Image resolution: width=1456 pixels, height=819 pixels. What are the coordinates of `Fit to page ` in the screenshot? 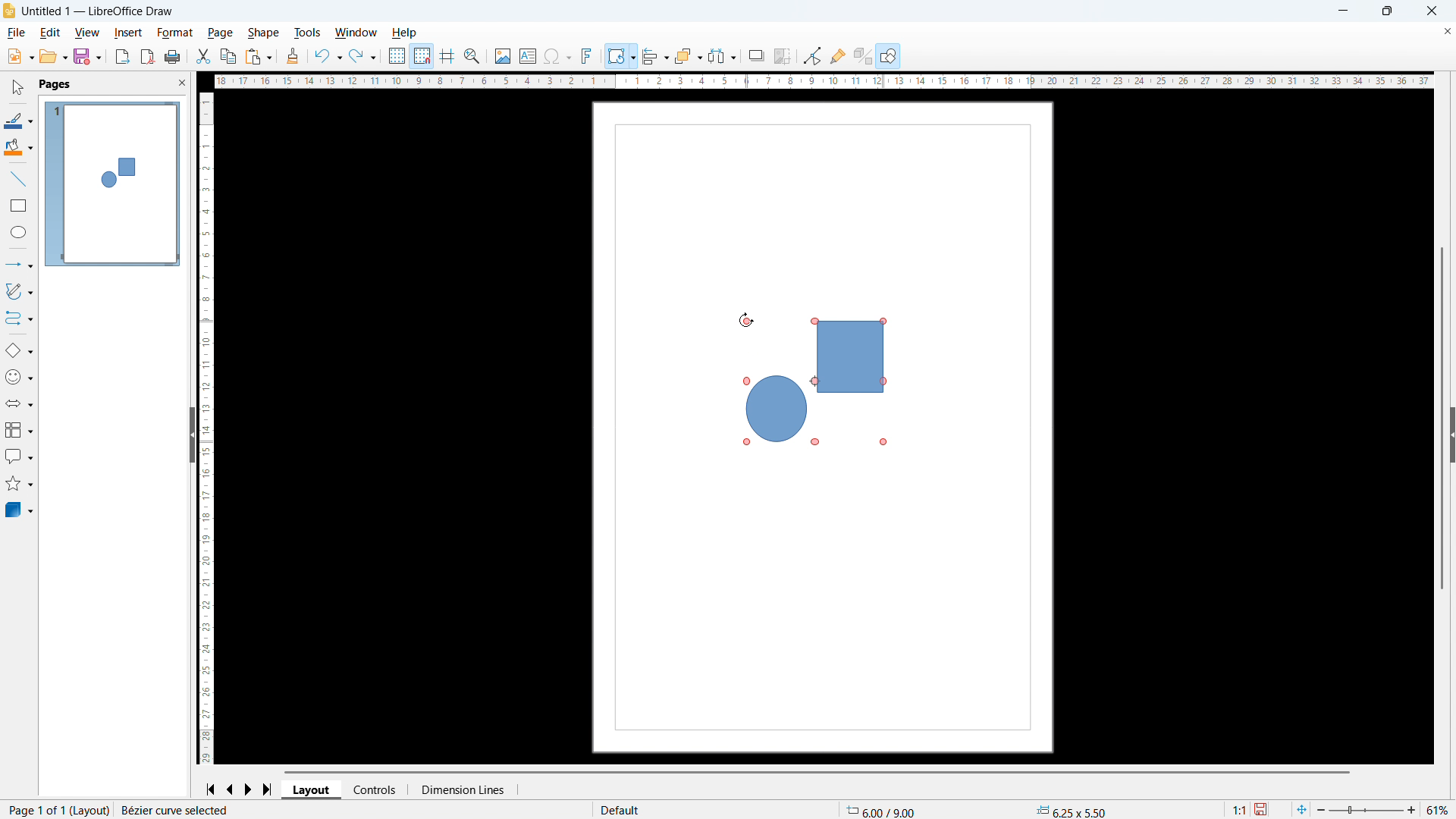 It's located at (1301, 810).